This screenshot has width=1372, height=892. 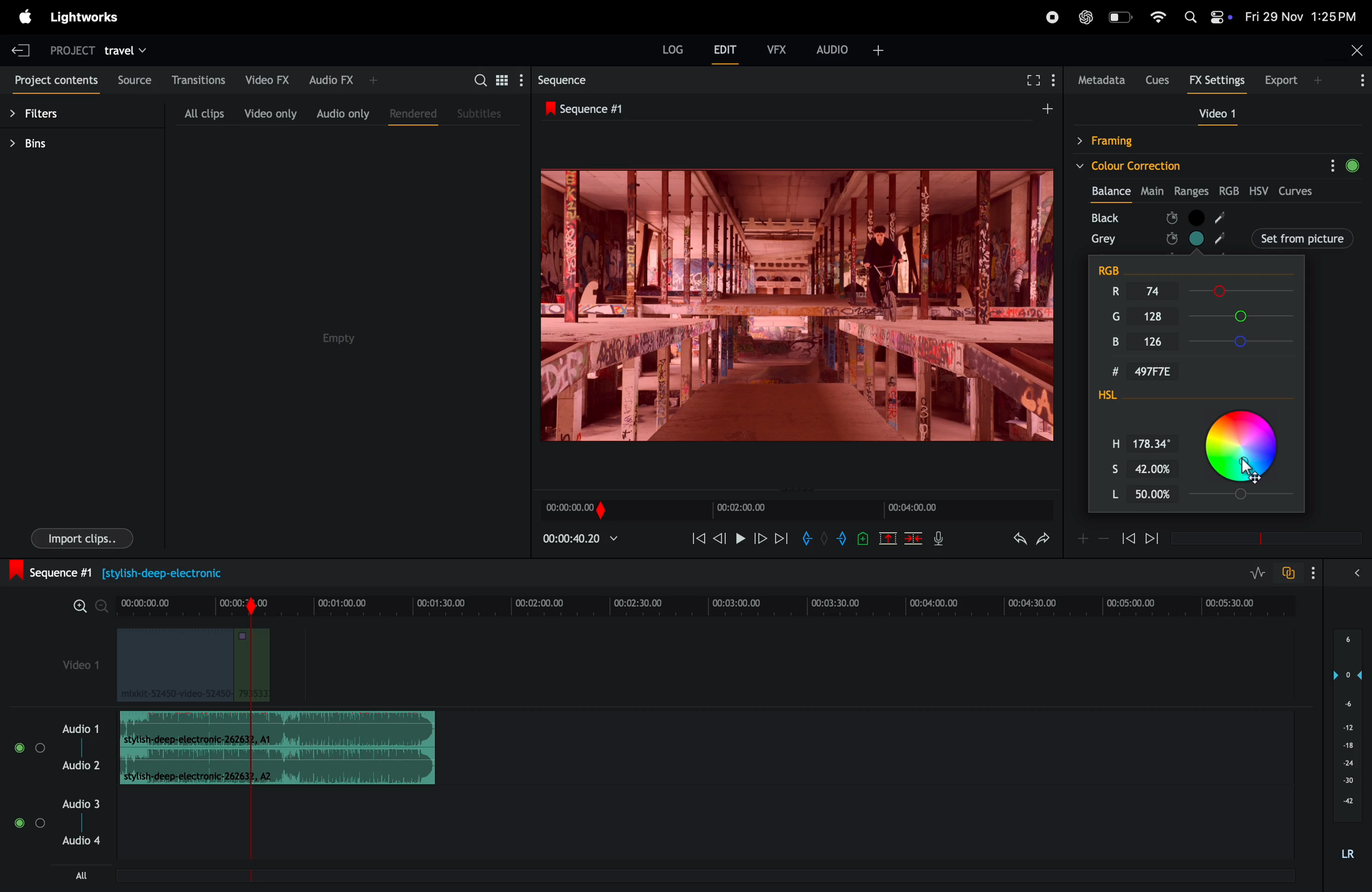 I want to click on previous frame, so click(x=722, y=537).